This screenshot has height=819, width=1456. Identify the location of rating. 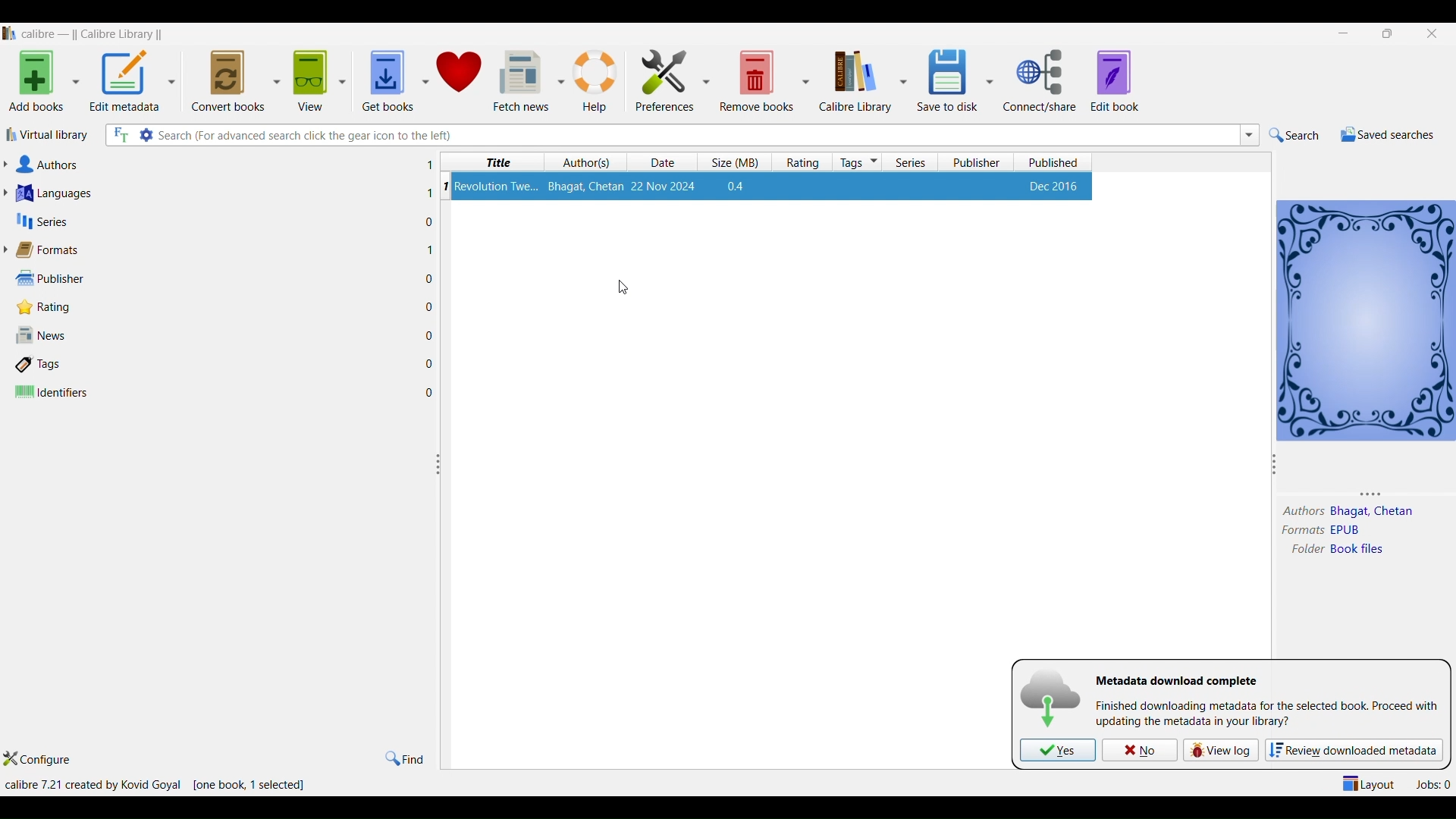
(40, 307).